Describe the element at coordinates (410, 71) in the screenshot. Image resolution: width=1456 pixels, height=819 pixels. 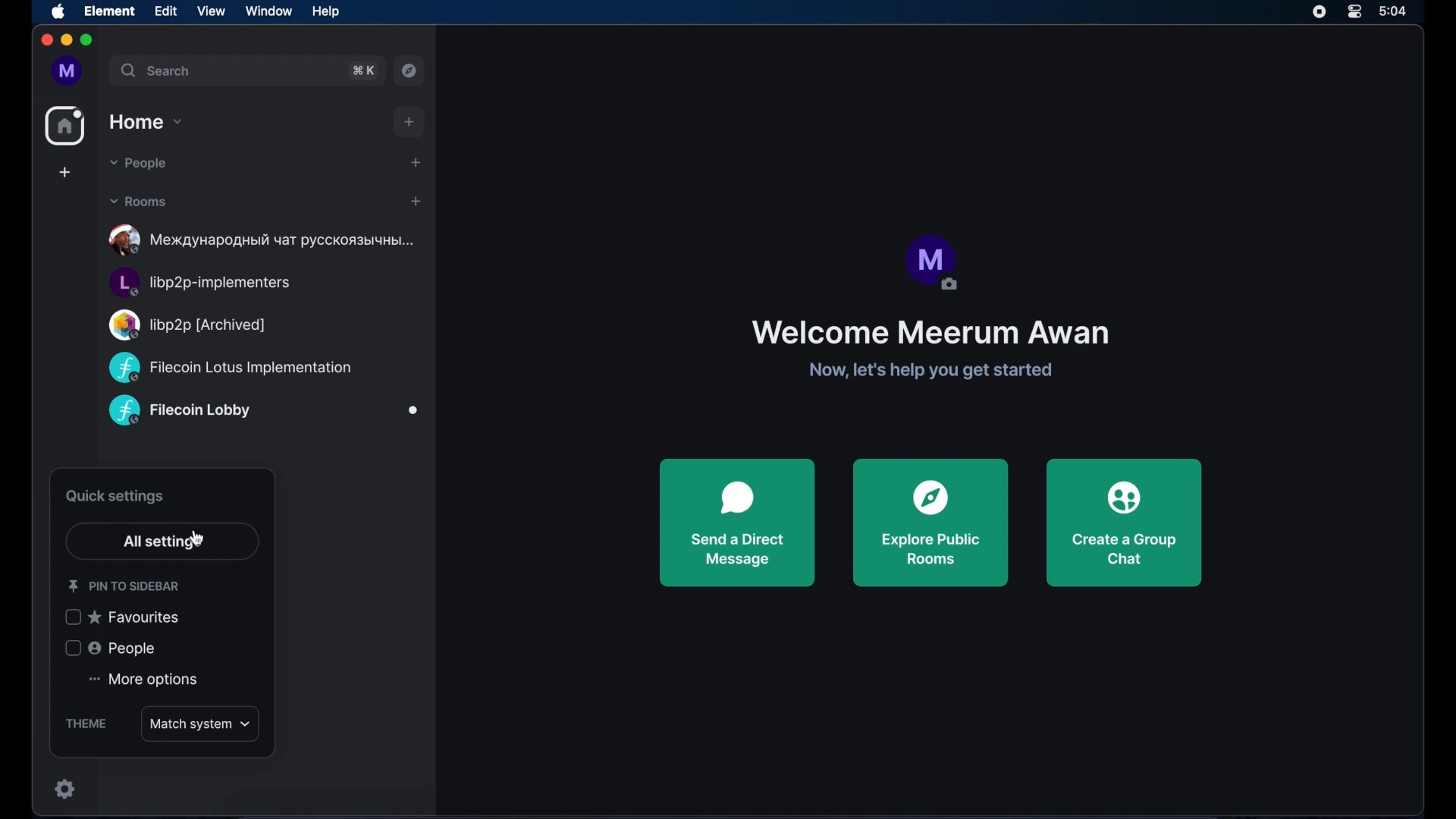
I see `explore public rooms` at that location.